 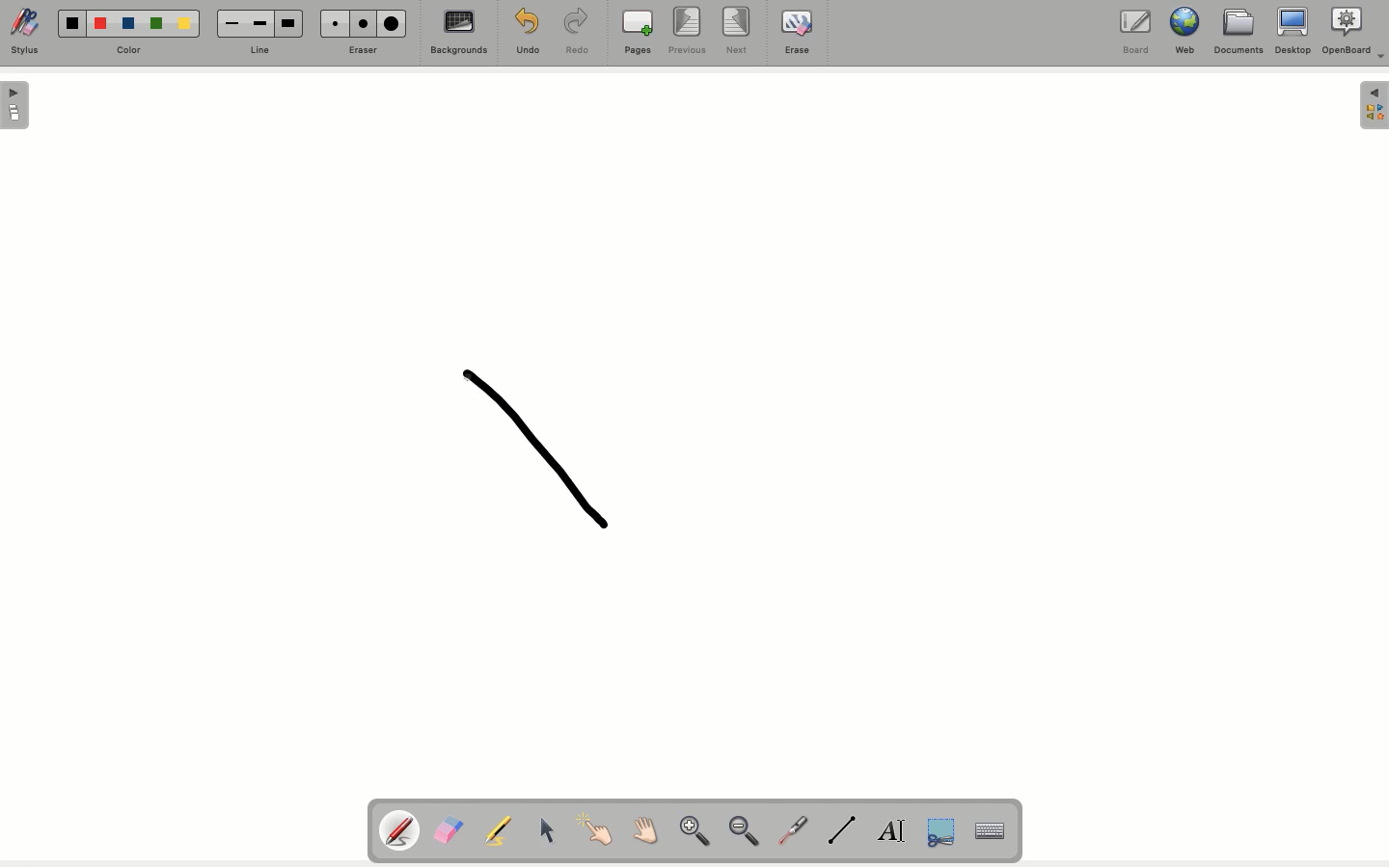 I want to click on Menu, so click(x=1374, y=107).